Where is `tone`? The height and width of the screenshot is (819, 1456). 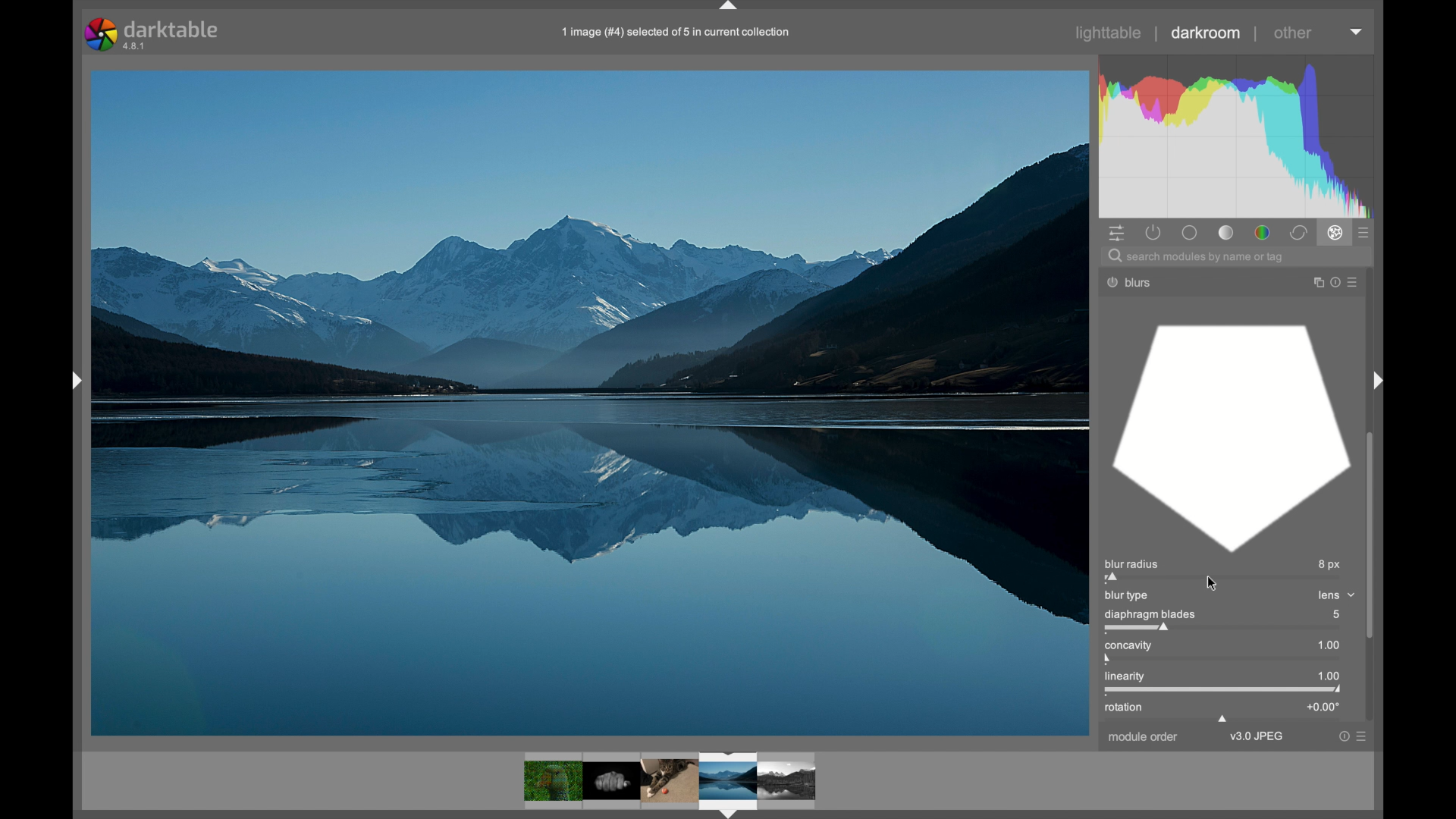
tone is located at coordinates (1225, 232).